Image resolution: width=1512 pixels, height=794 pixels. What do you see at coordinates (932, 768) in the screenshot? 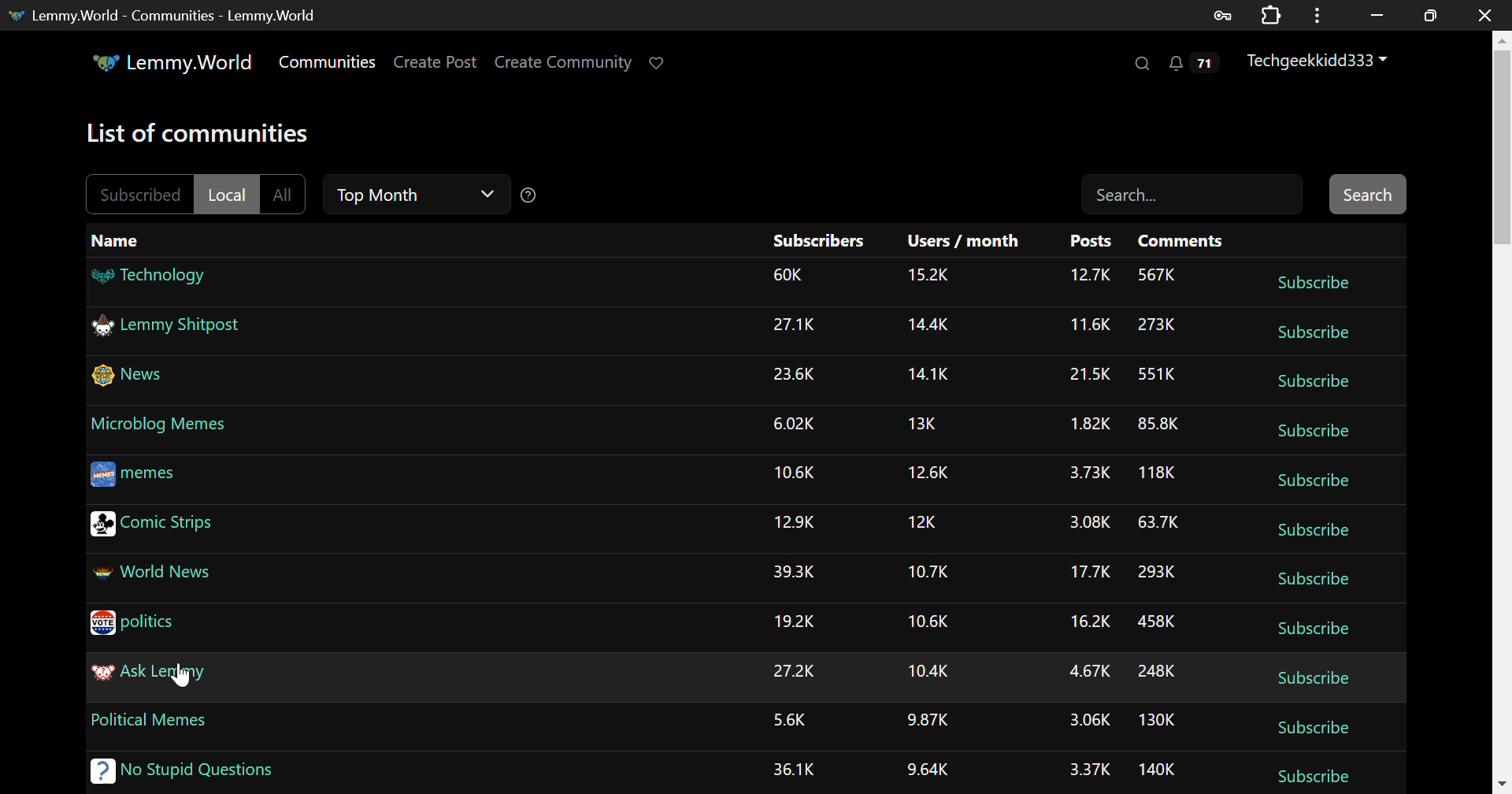
I see `Amount` at bounding box center [932, 768].